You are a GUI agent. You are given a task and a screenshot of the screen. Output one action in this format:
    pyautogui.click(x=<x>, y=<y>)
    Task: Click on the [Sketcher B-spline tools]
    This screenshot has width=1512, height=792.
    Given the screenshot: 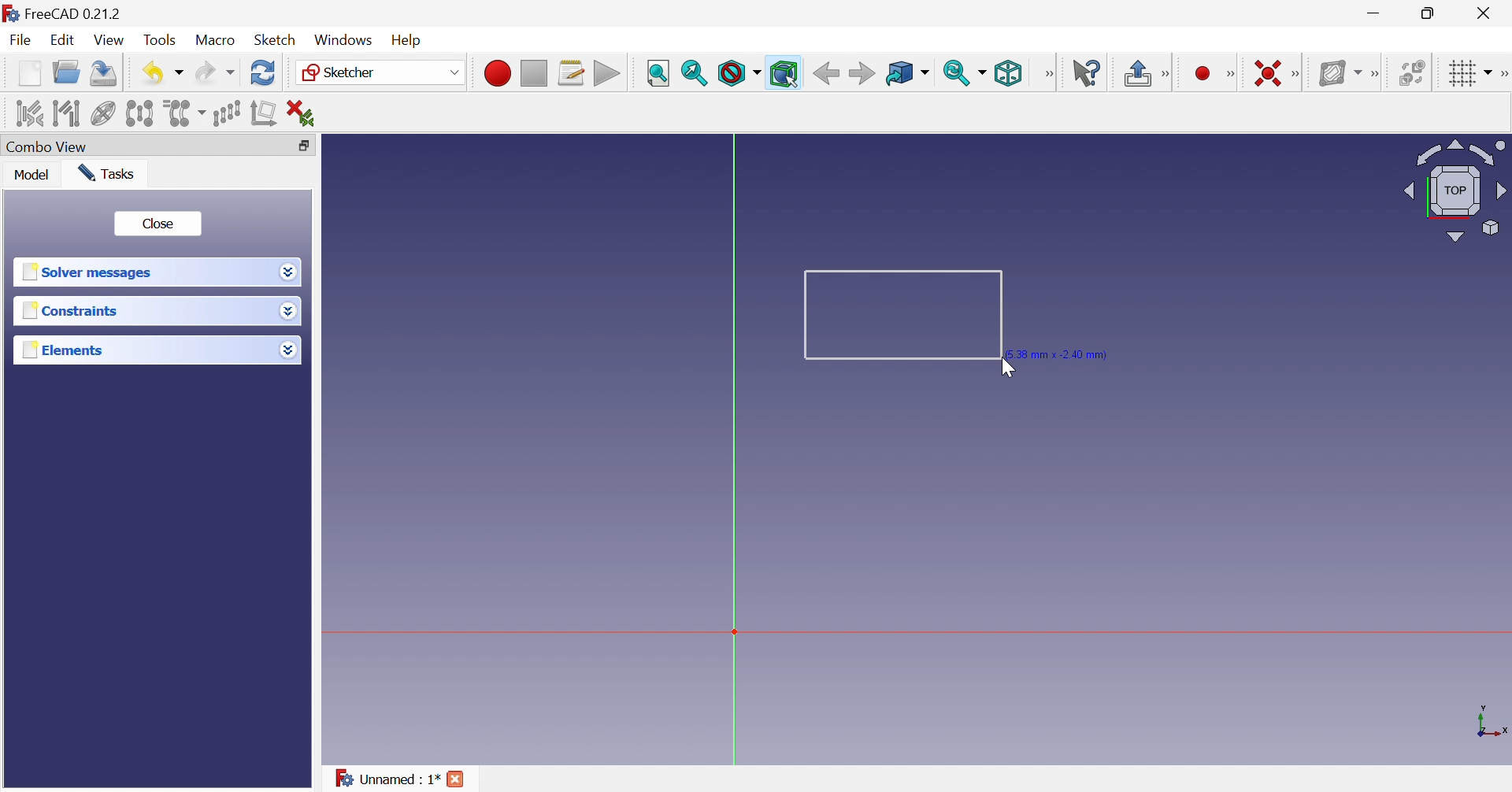 What is the action you would take?
    pyautogui.click(x=1377, y=76)
    